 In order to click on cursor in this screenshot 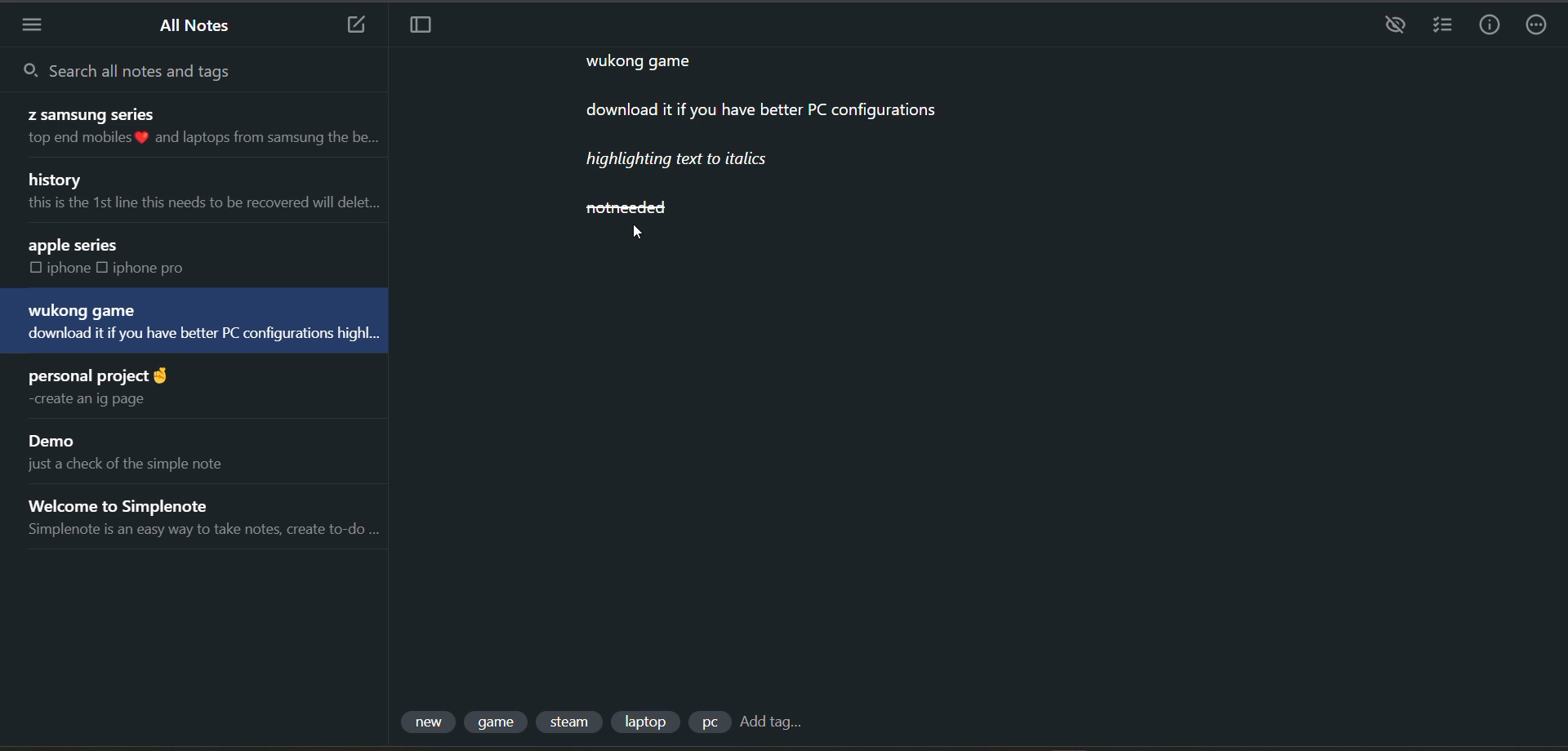, I will do `click(640, 233)`.